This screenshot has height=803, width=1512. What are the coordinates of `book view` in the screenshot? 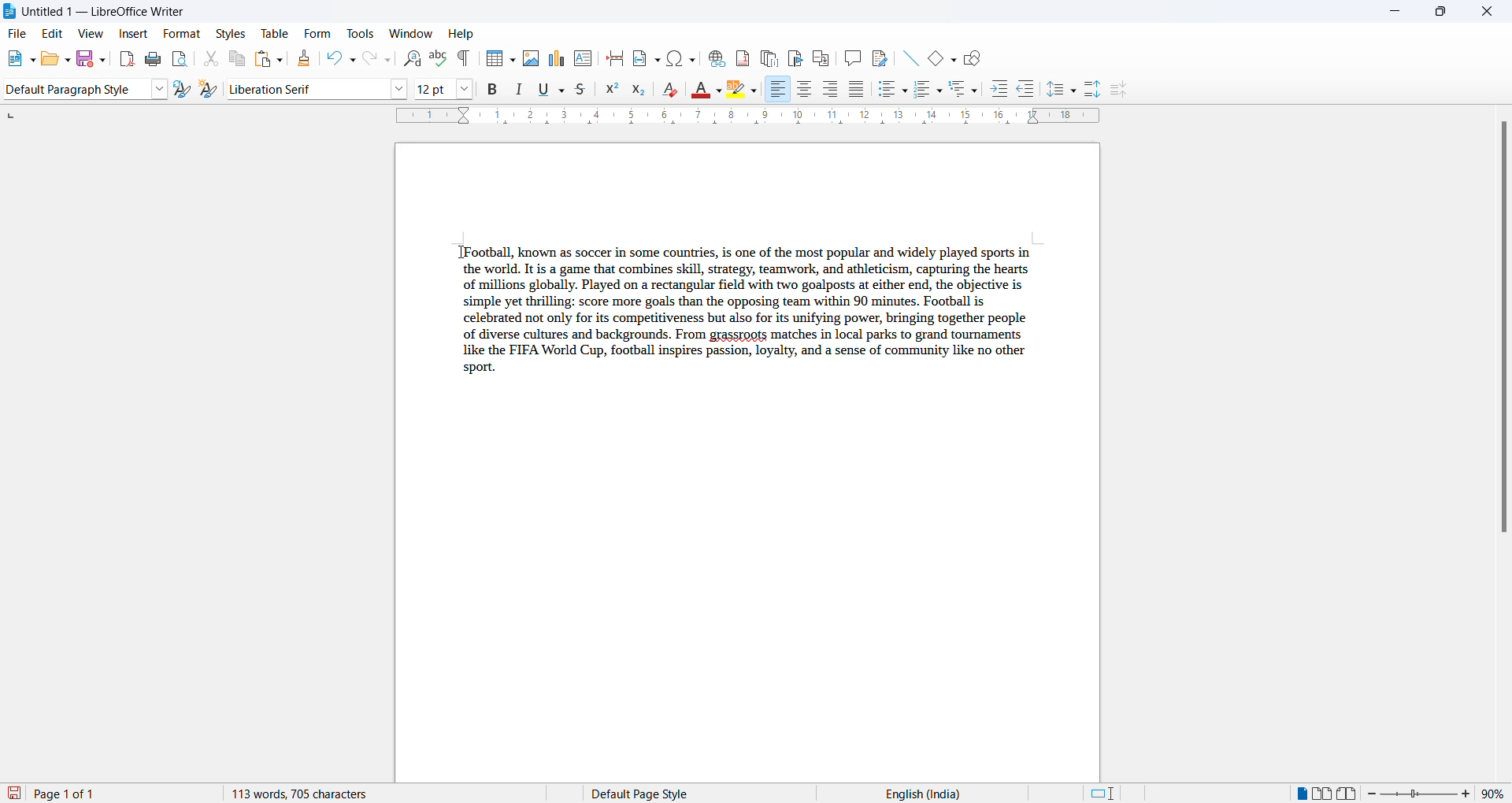 It's located at (1349, 794).